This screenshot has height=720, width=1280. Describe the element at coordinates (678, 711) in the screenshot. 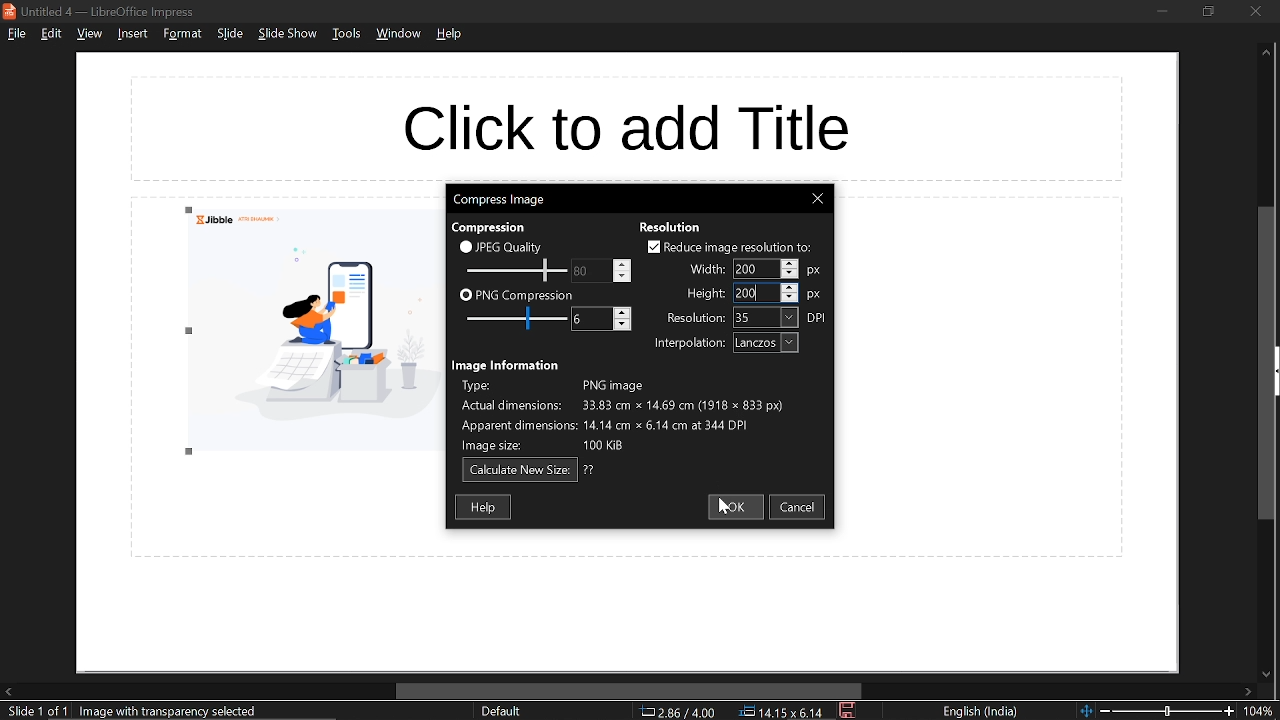

I see `co-ordinate` at that location.